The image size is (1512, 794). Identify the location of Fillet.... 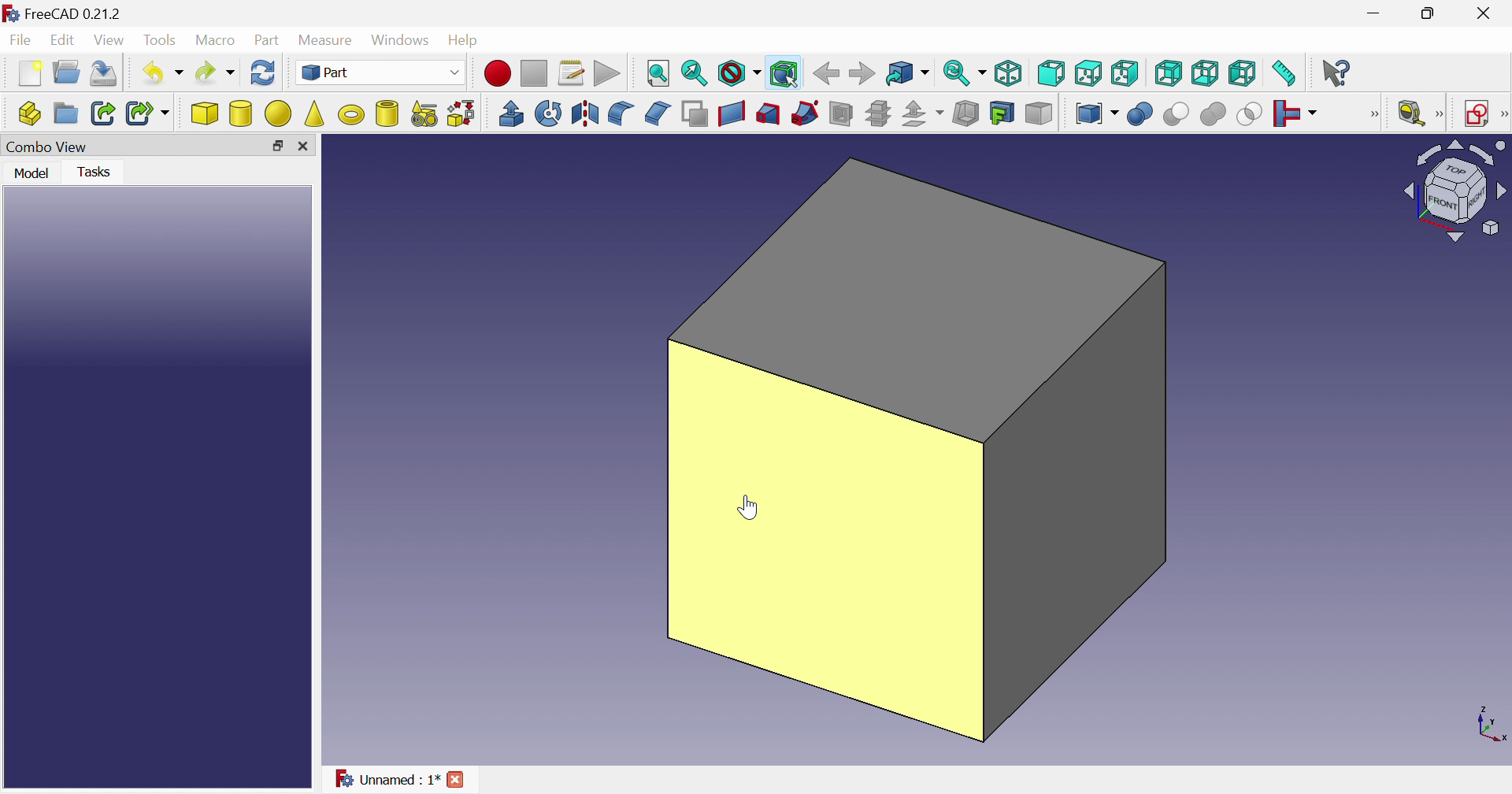
(621, 113).